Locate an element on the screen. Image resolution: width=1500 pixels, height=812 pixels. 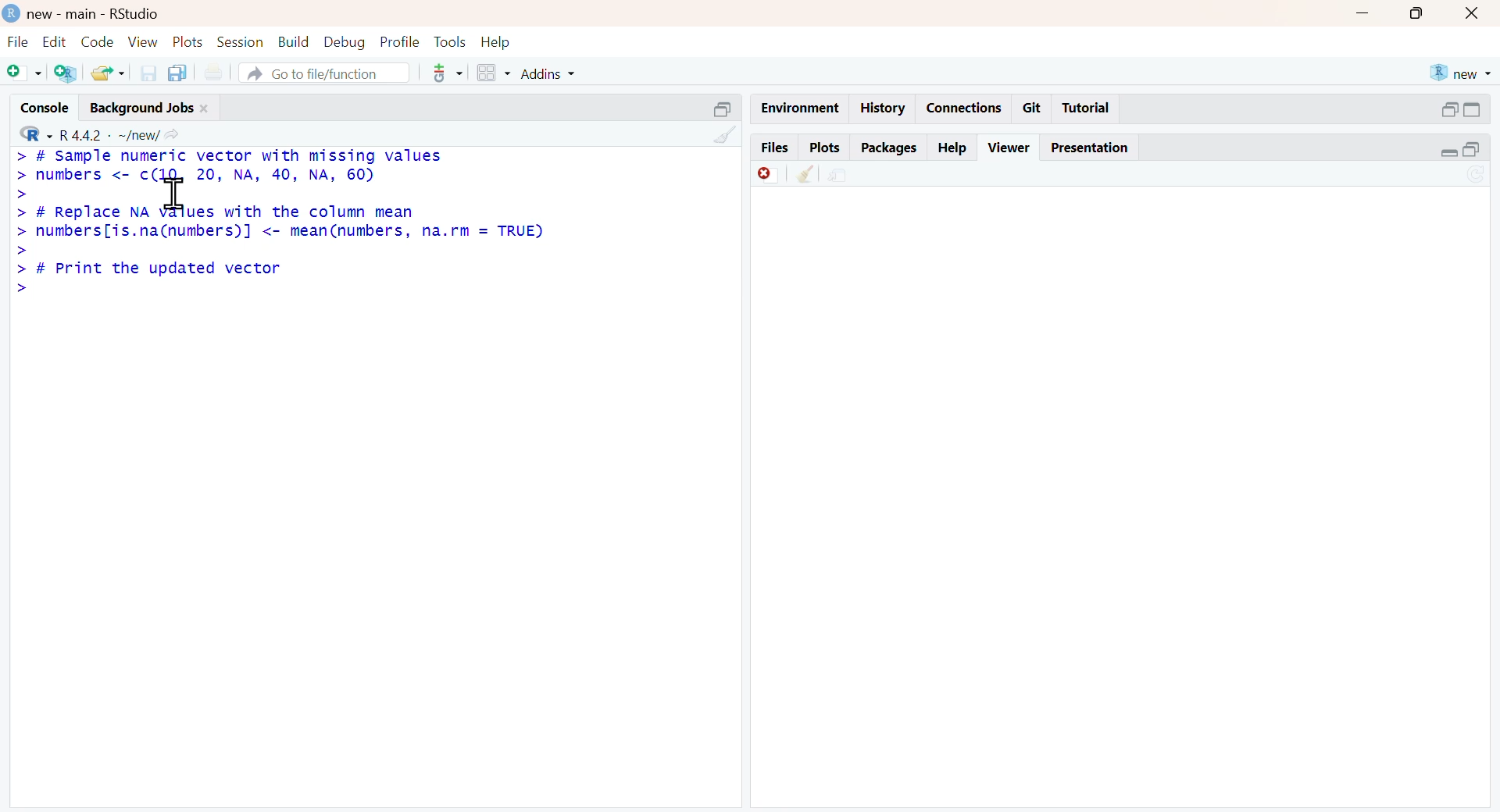
add R file is located at coordinates (66, 74).